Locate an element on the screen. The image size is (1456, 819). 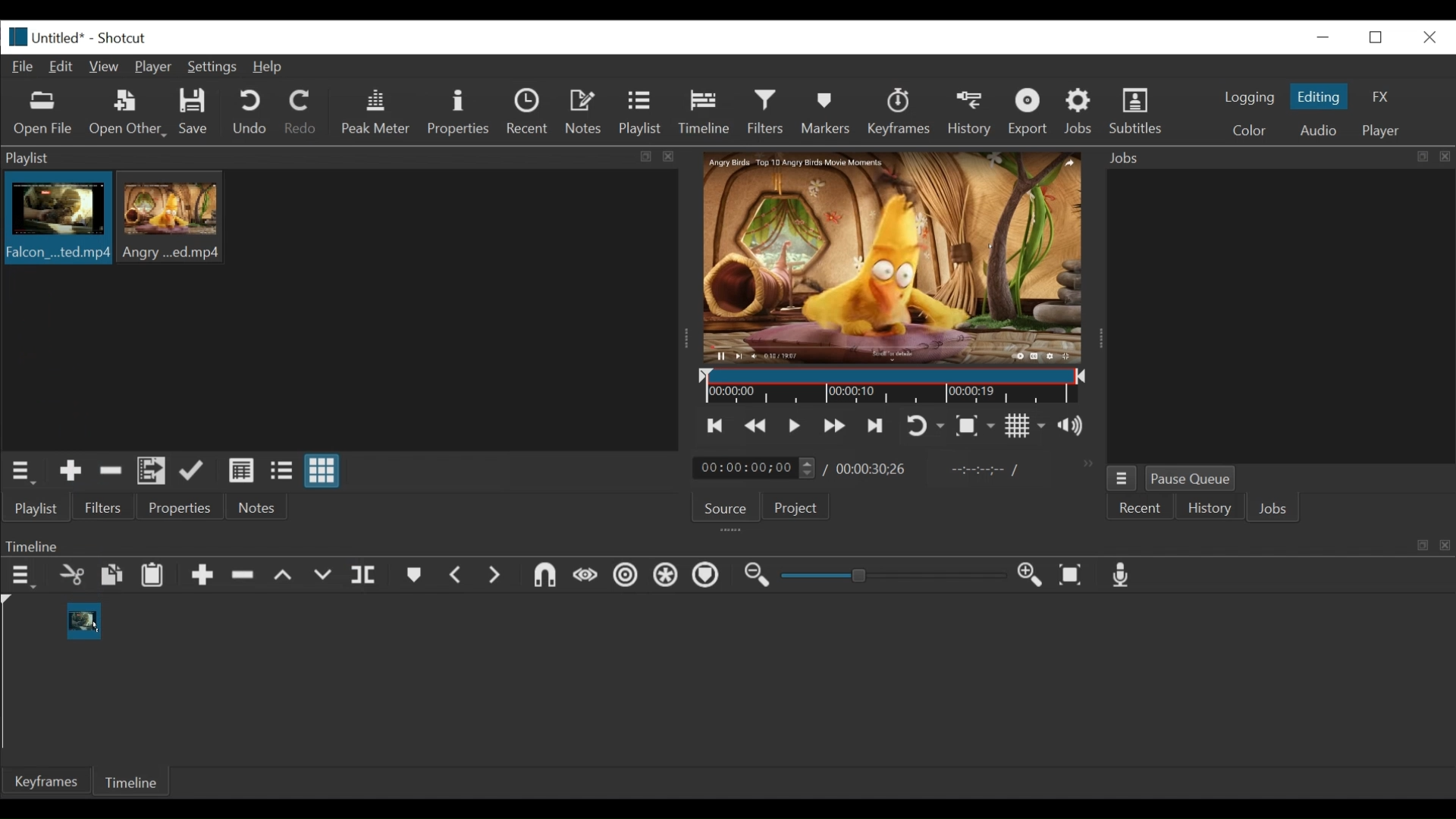
jobs menu is located at coordinates (1122, 476).